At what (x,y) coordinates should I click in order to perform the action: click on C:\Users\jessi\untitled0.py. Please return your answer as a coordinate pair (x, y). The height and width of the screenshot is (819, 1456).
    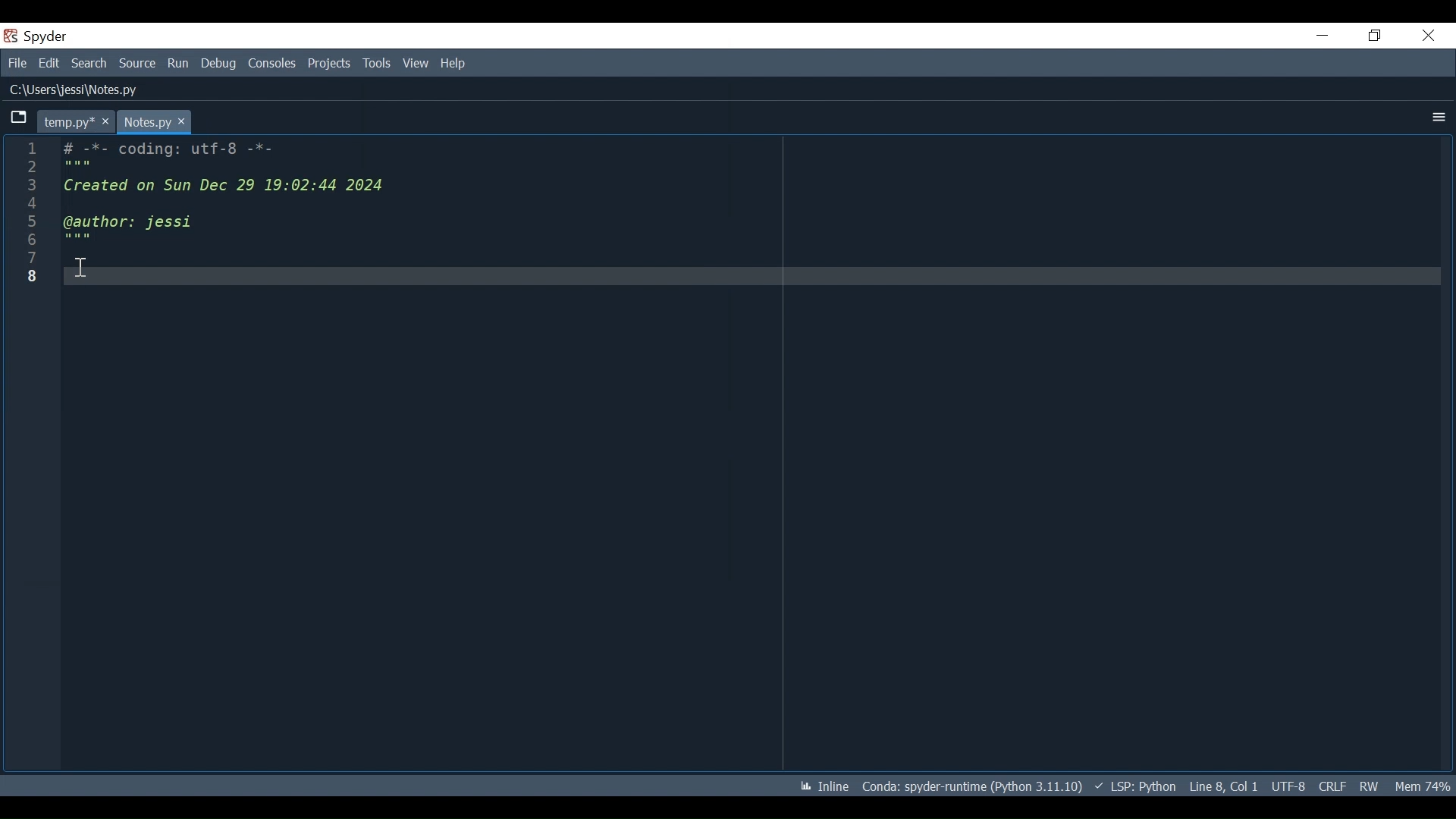
    Looking at the image, I should click on (87, 90).